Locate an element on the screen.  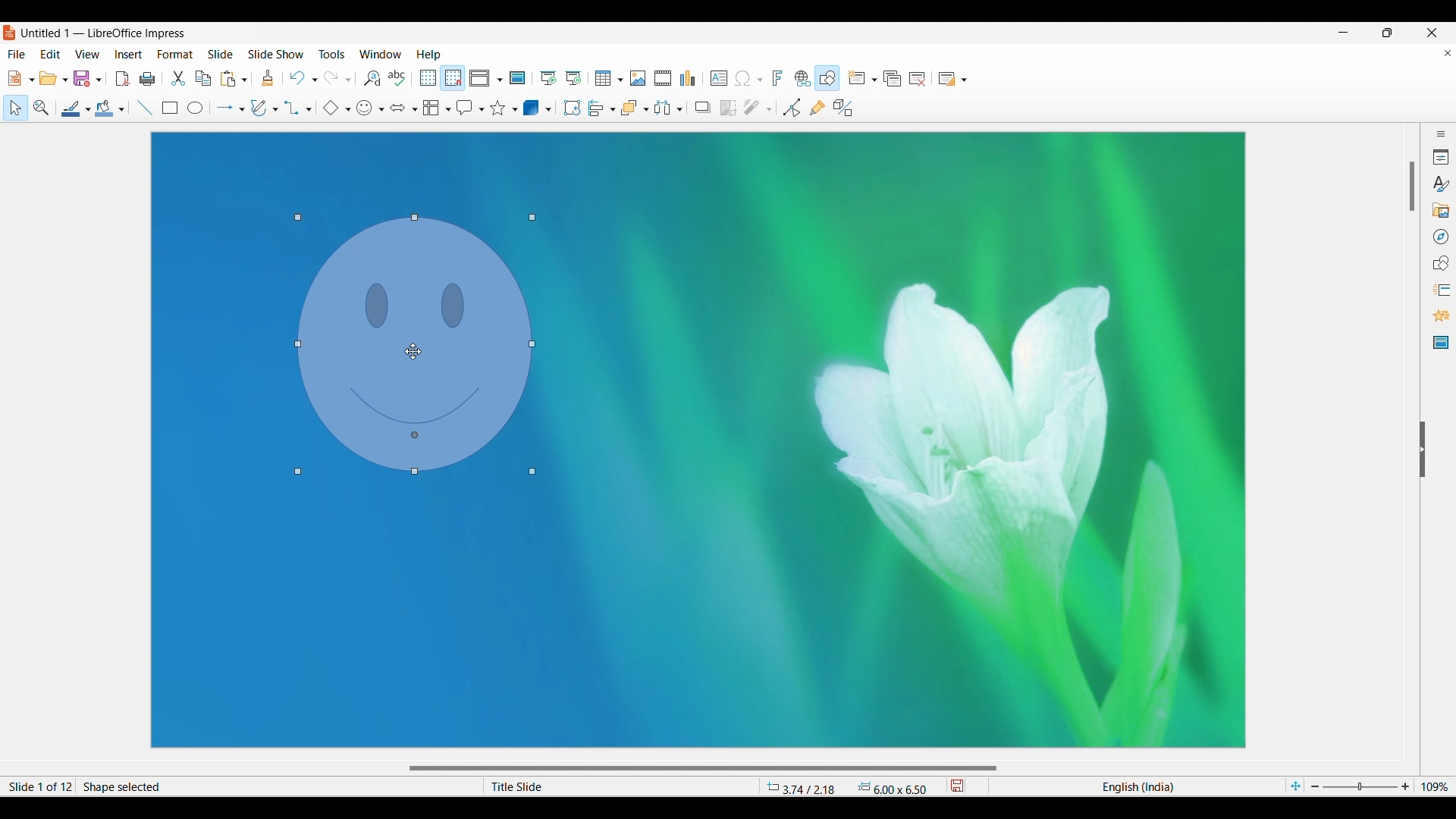
Connector options is located at coordinates (309, 110).